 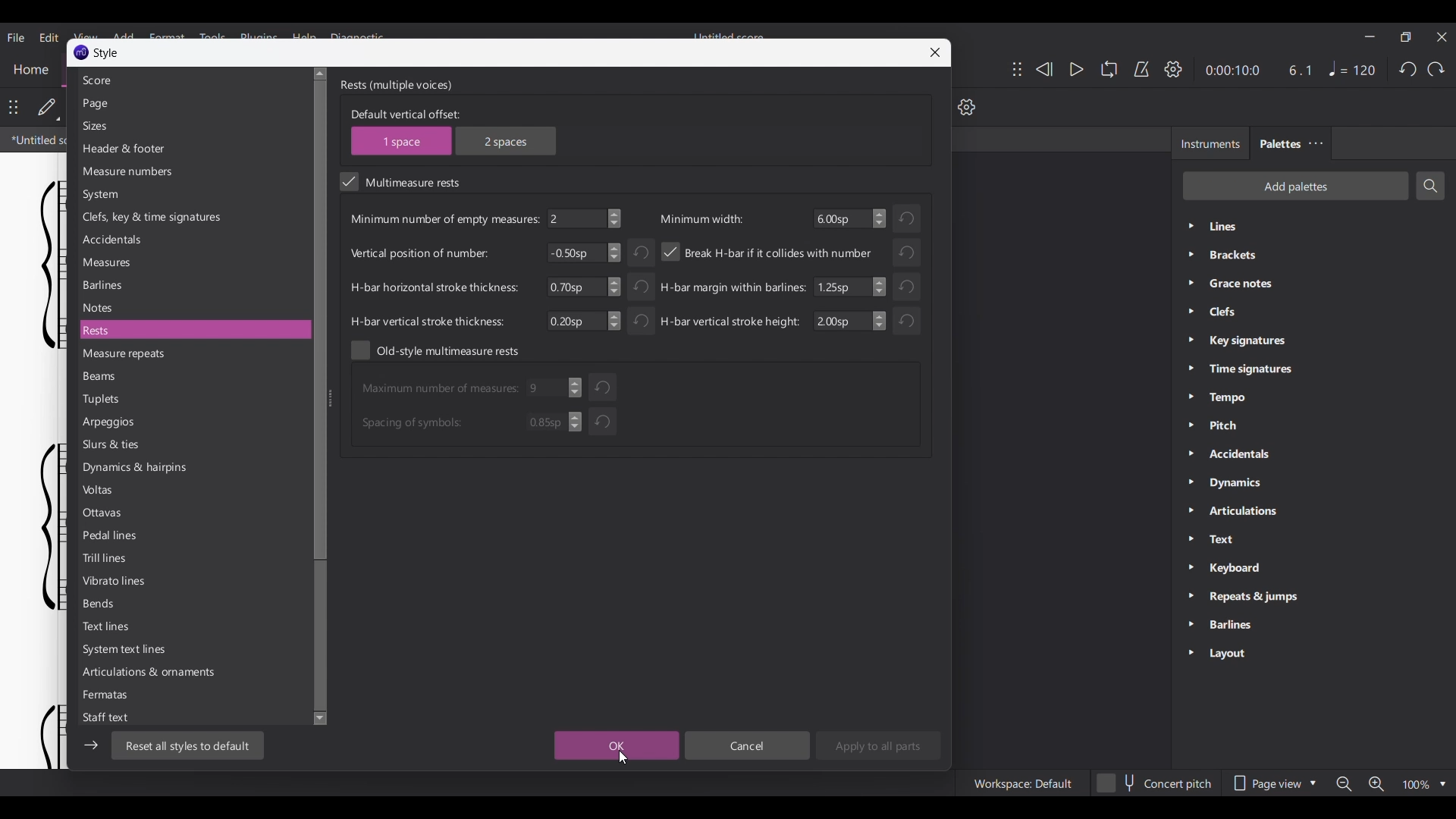 I want to click on Slurs and ties, so click(x=192, y=445).